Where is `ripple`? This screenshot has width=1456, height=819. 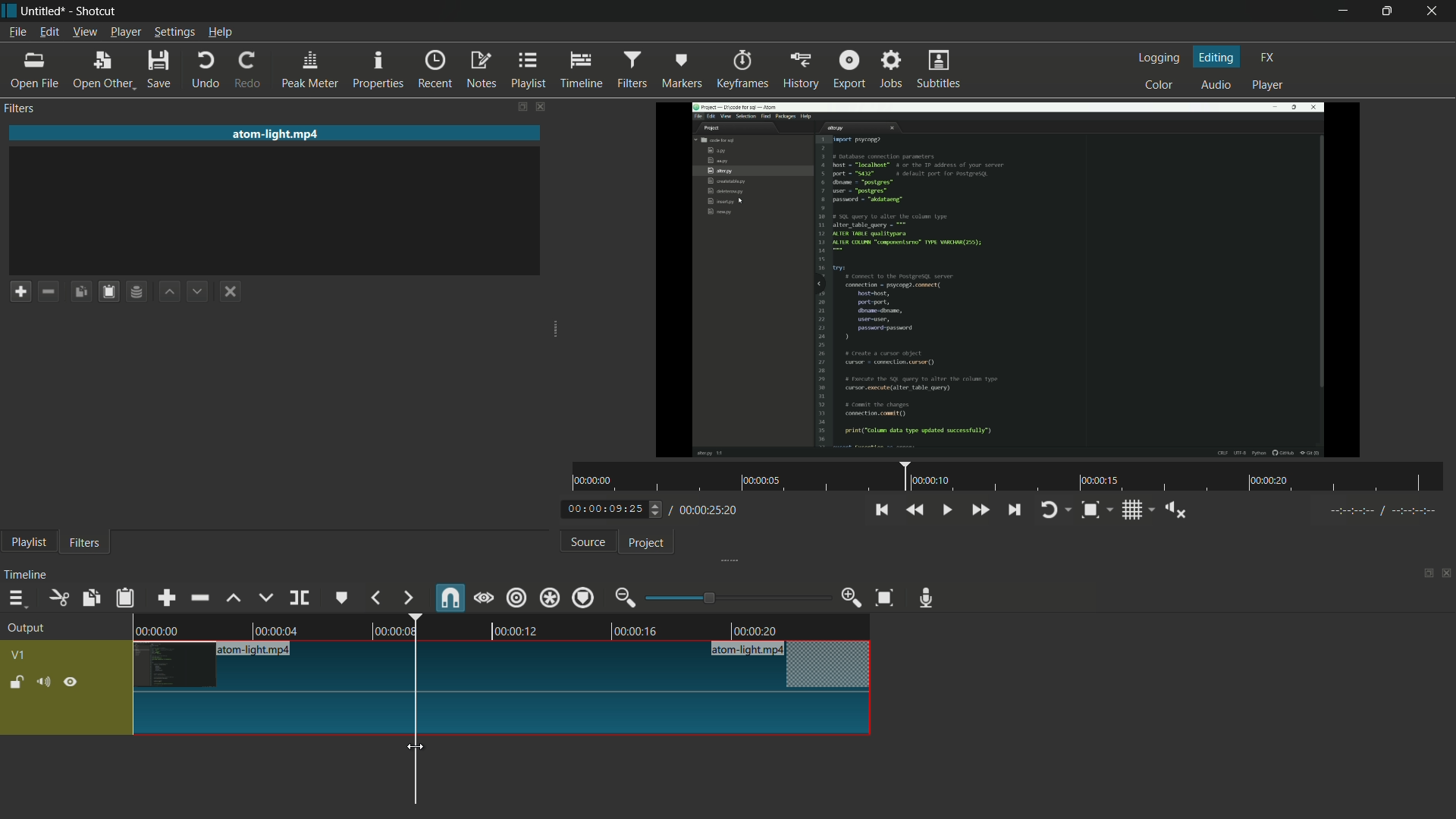
ripple is located at coordinates (517, 599).